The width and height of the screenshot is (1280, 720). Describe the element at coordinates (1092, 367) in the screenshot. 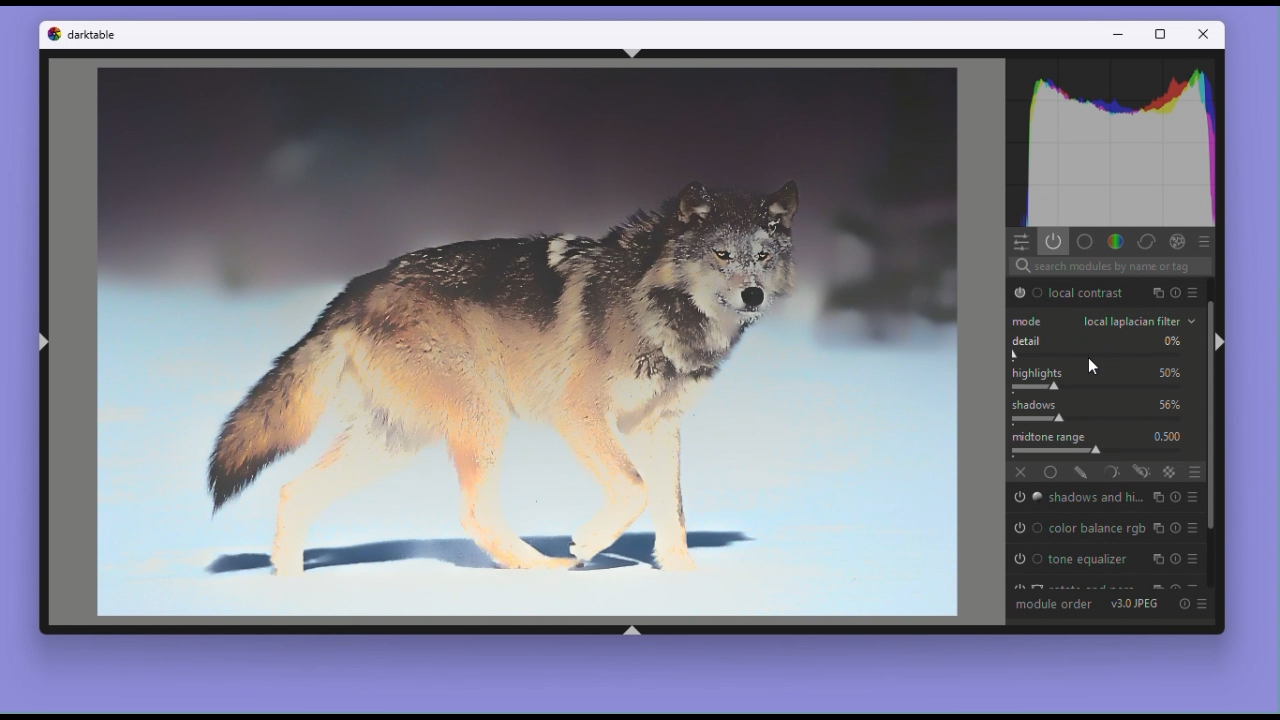

I see `cursor` at that location.